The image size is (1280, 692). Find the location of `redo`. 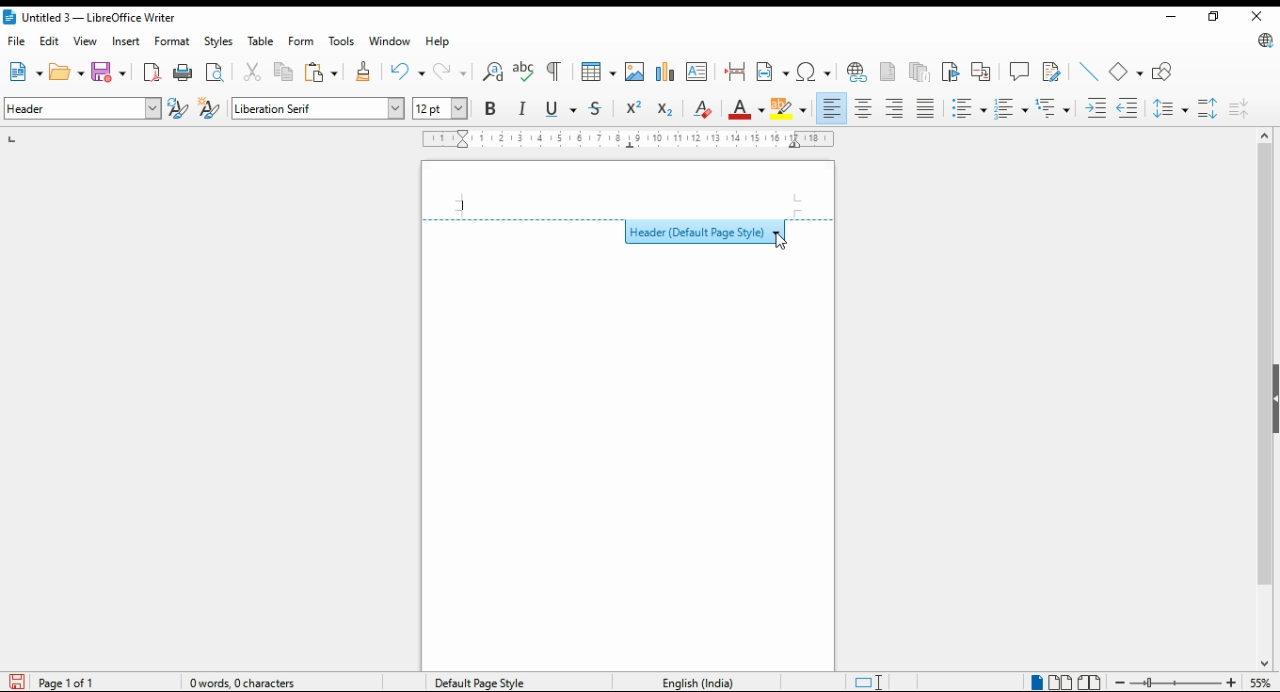

redo is located at coordinates (452, 71).